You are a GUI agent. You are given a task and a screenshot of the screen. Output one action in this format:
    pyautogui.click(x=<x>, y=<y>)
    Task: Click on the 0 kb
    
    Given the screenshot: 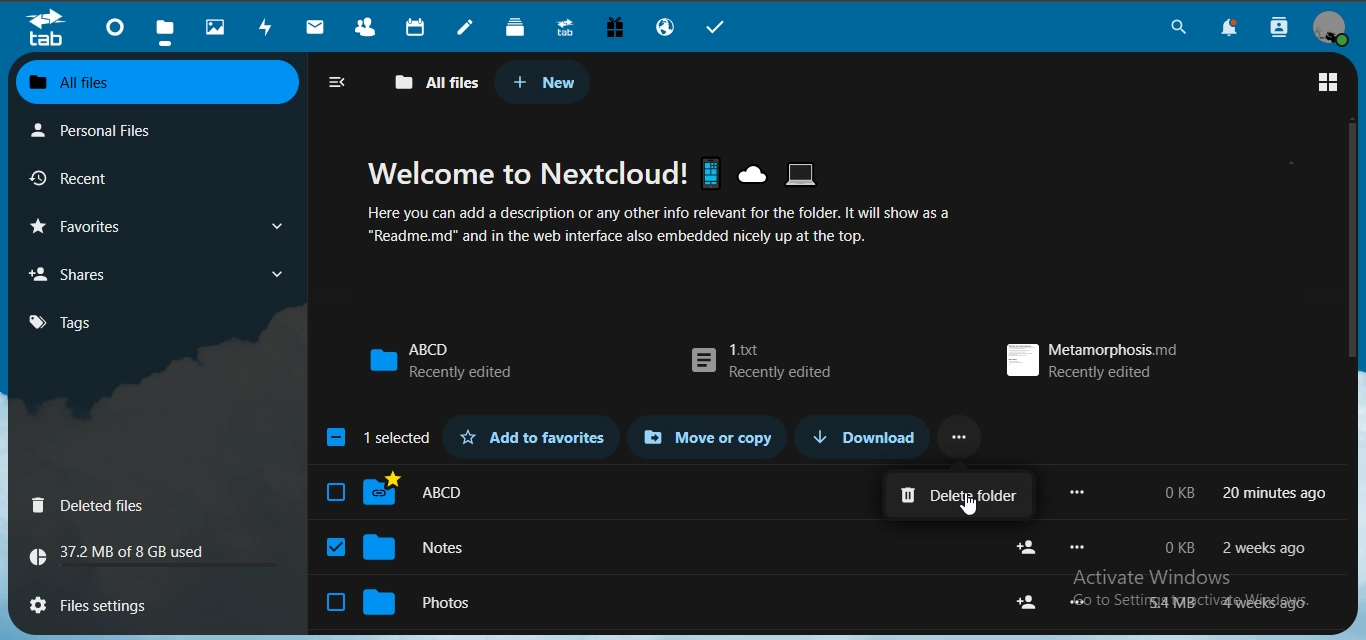 What is the action you would take?
    pyautogui.click(x=1181, y=491)
    